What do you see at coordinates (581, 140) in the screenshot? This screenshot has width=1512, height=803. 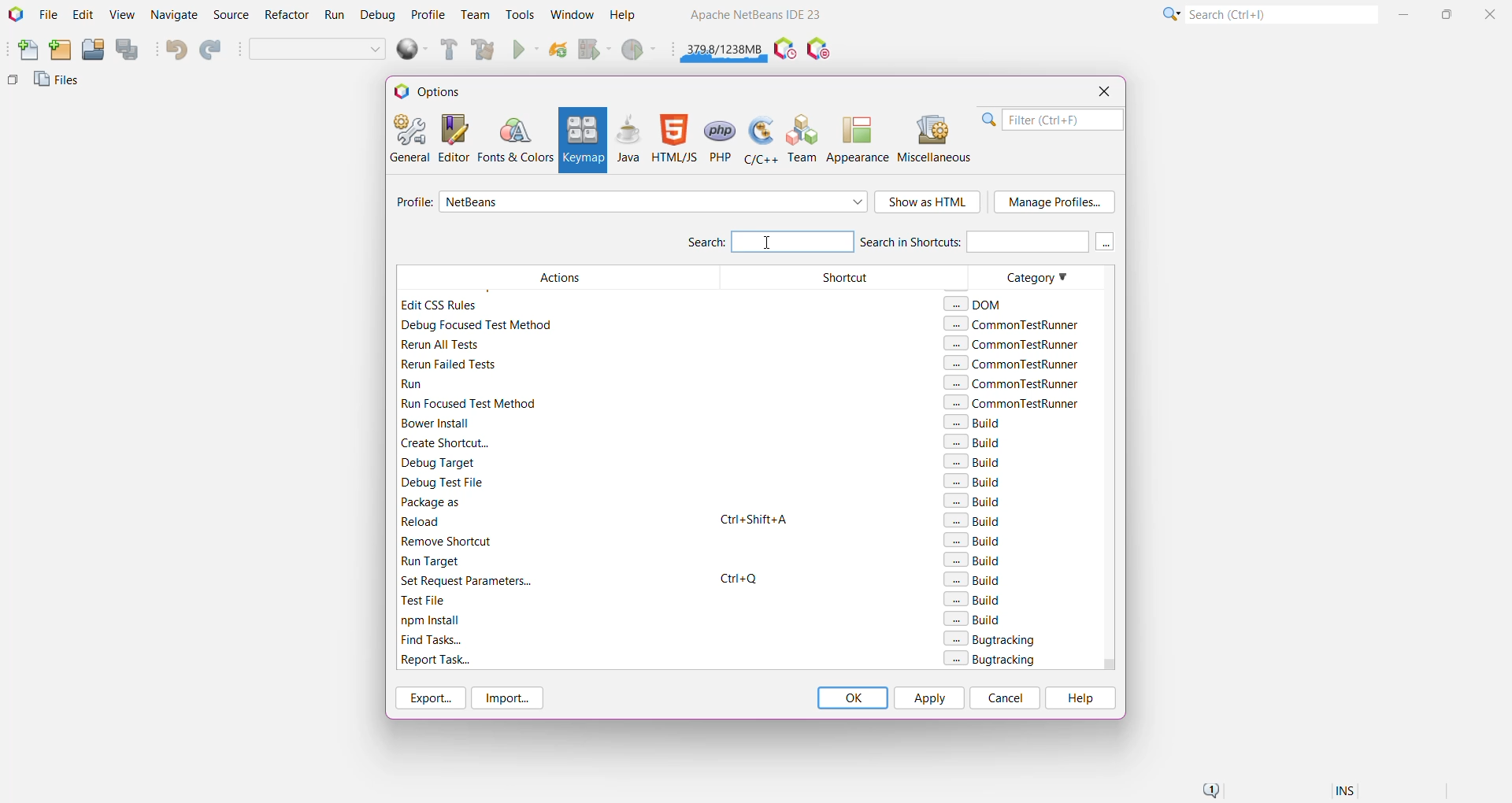 I see `Keymap` at bounding box center [581, 140].